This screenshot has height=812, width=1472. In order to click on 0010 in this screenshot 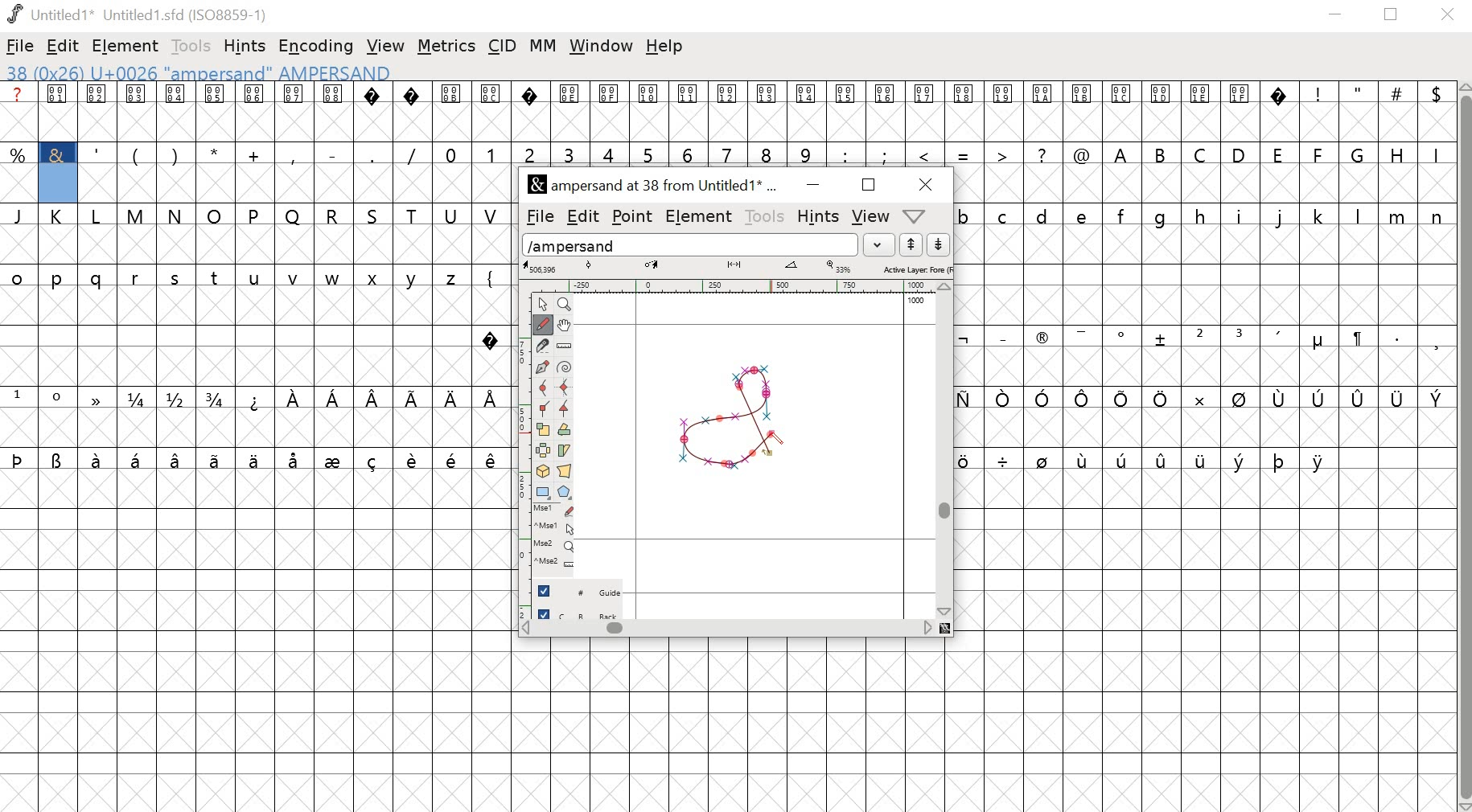, I will do `click(650, 109)`.